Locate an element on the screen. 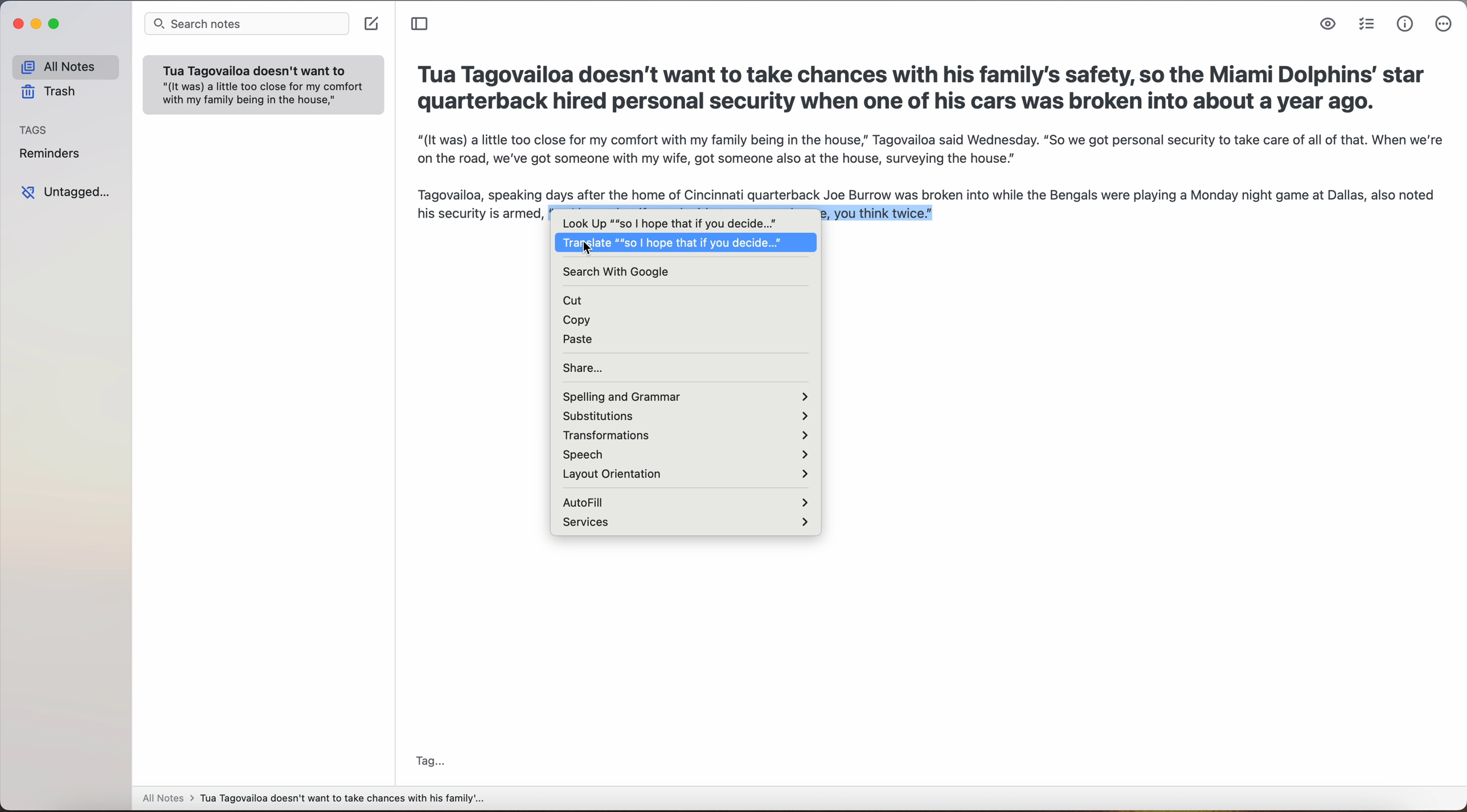 This screenshot has height=812, width=1467. Tua Tagovailoa doesn't want to take chances with his family's safety, so the Miami Dolphins’ star
quarterback hired personal security when one of his cars was broken into about a year ago. is located at coordinates (923, 87).